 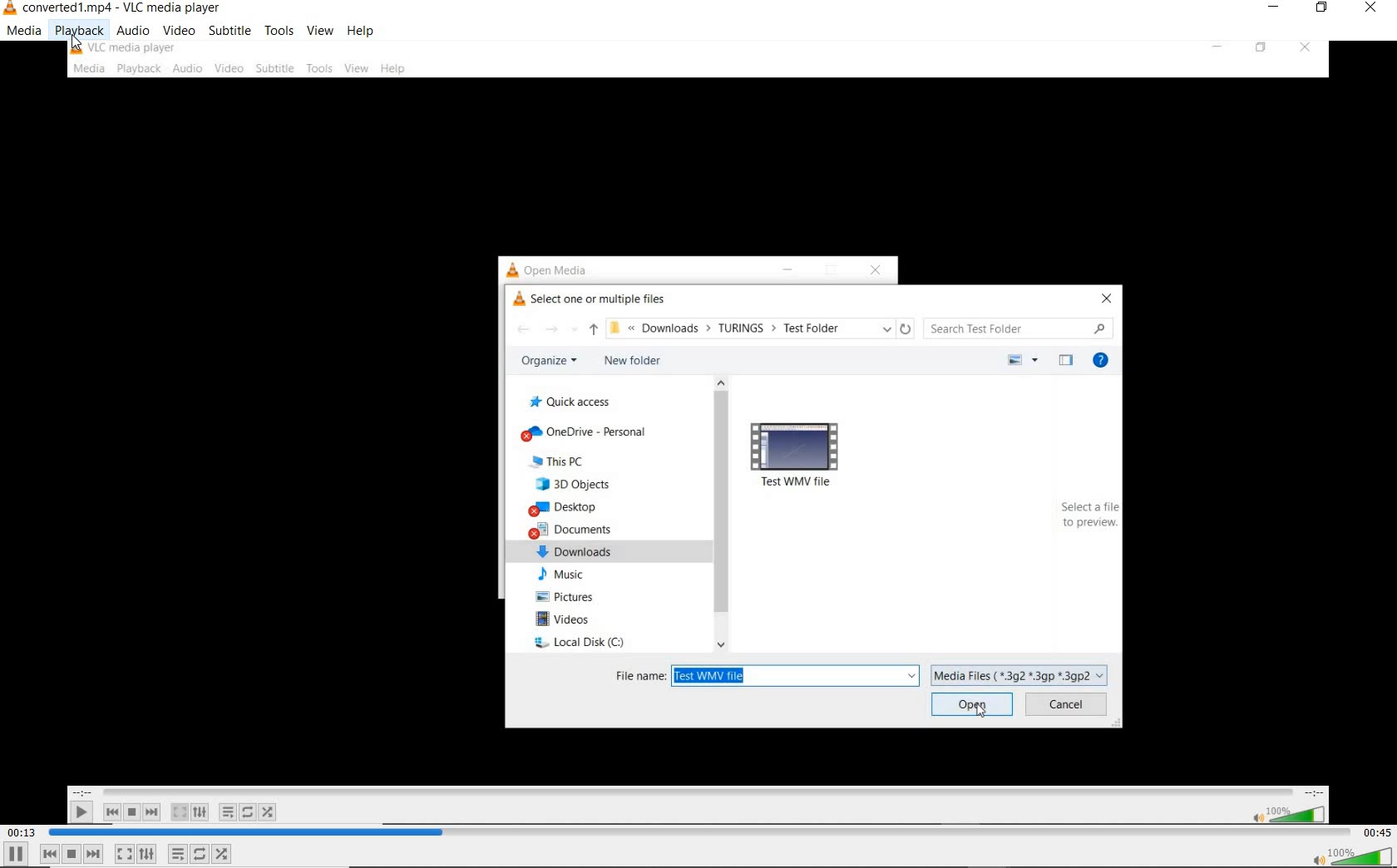 I want to click on next media, so click(x=93, y=854).